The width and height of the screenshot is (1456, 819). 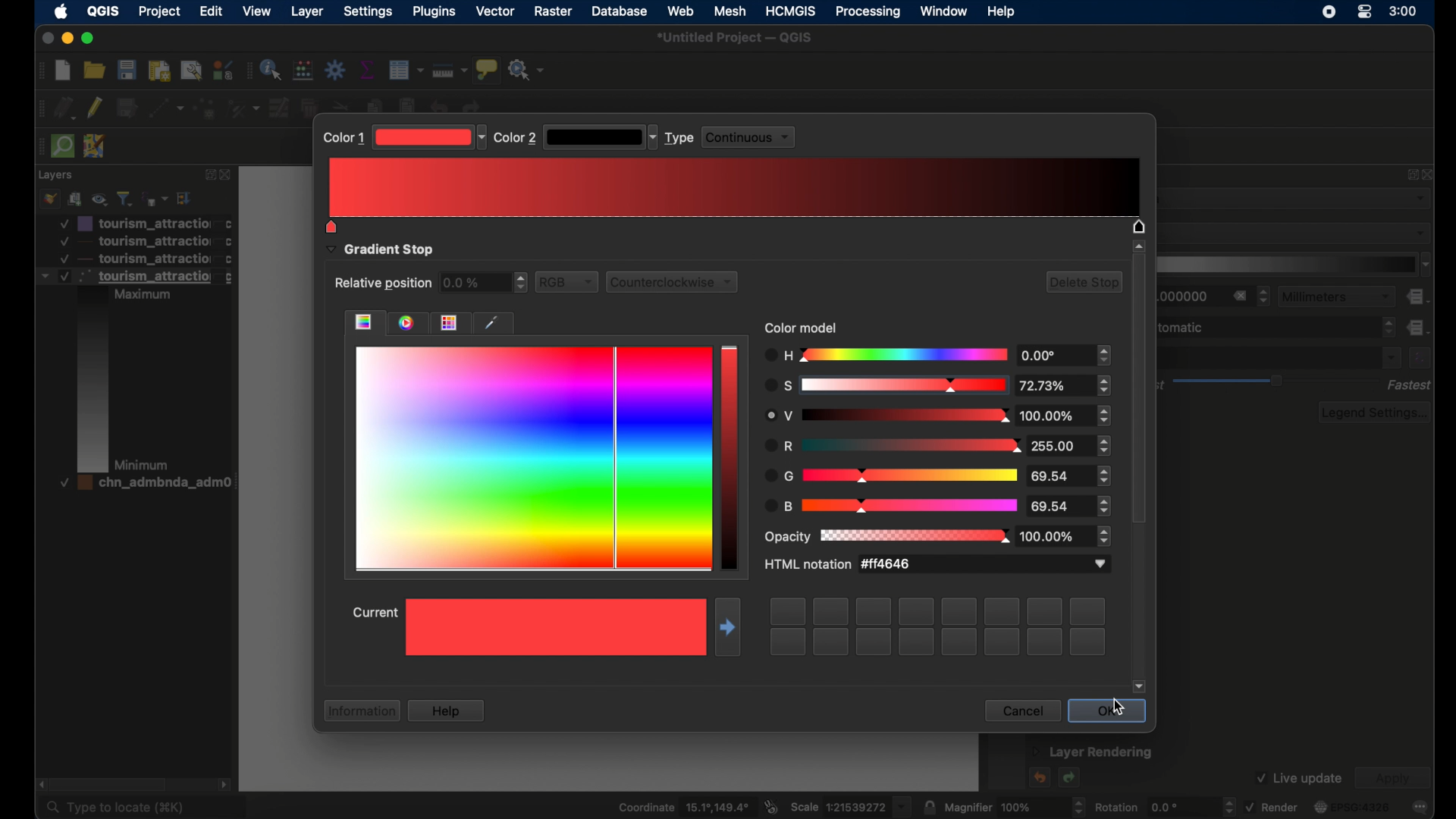 What do you see at coordinates (739, 39) in the screenshot?
I see `untitled project -QGIS` at bounding box center [739, 39].